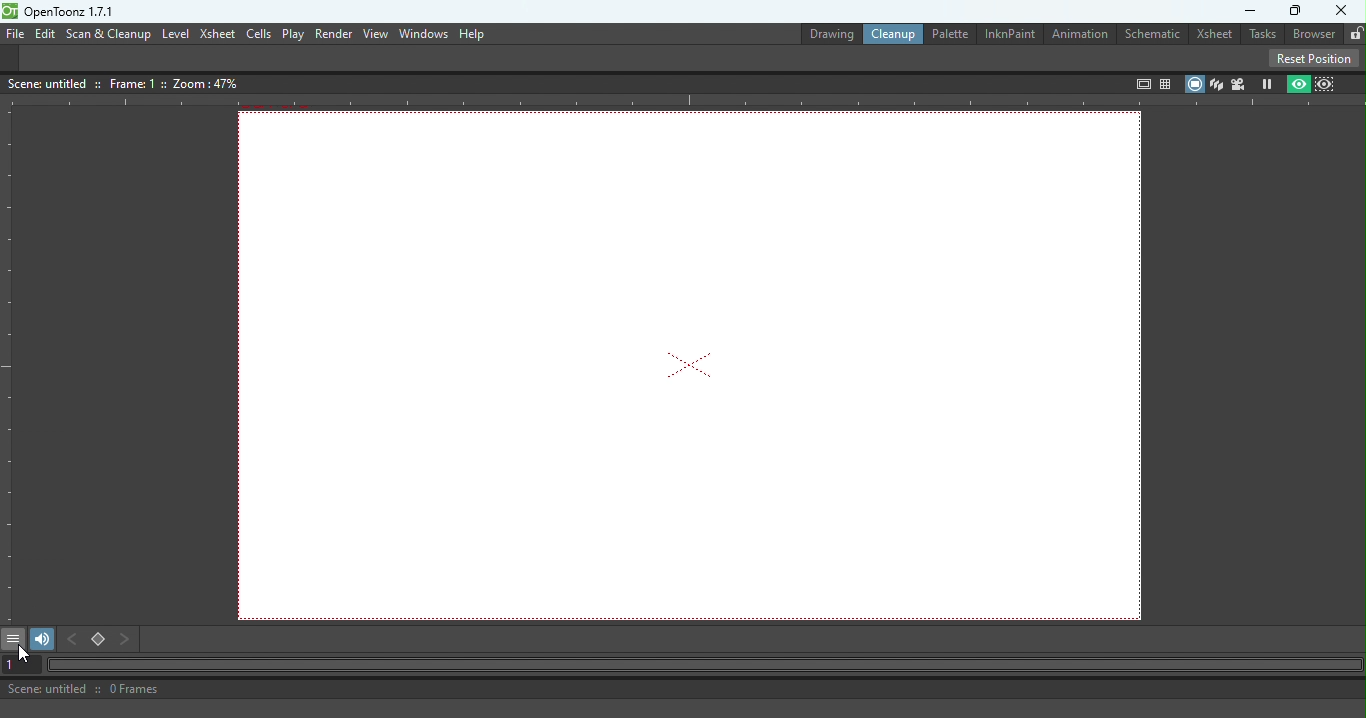 The image size is (1366, 718). What do you see at coordinates (1141, 84) in the screenshot?
I see `Safe area` at bounding box center [1141, 84].